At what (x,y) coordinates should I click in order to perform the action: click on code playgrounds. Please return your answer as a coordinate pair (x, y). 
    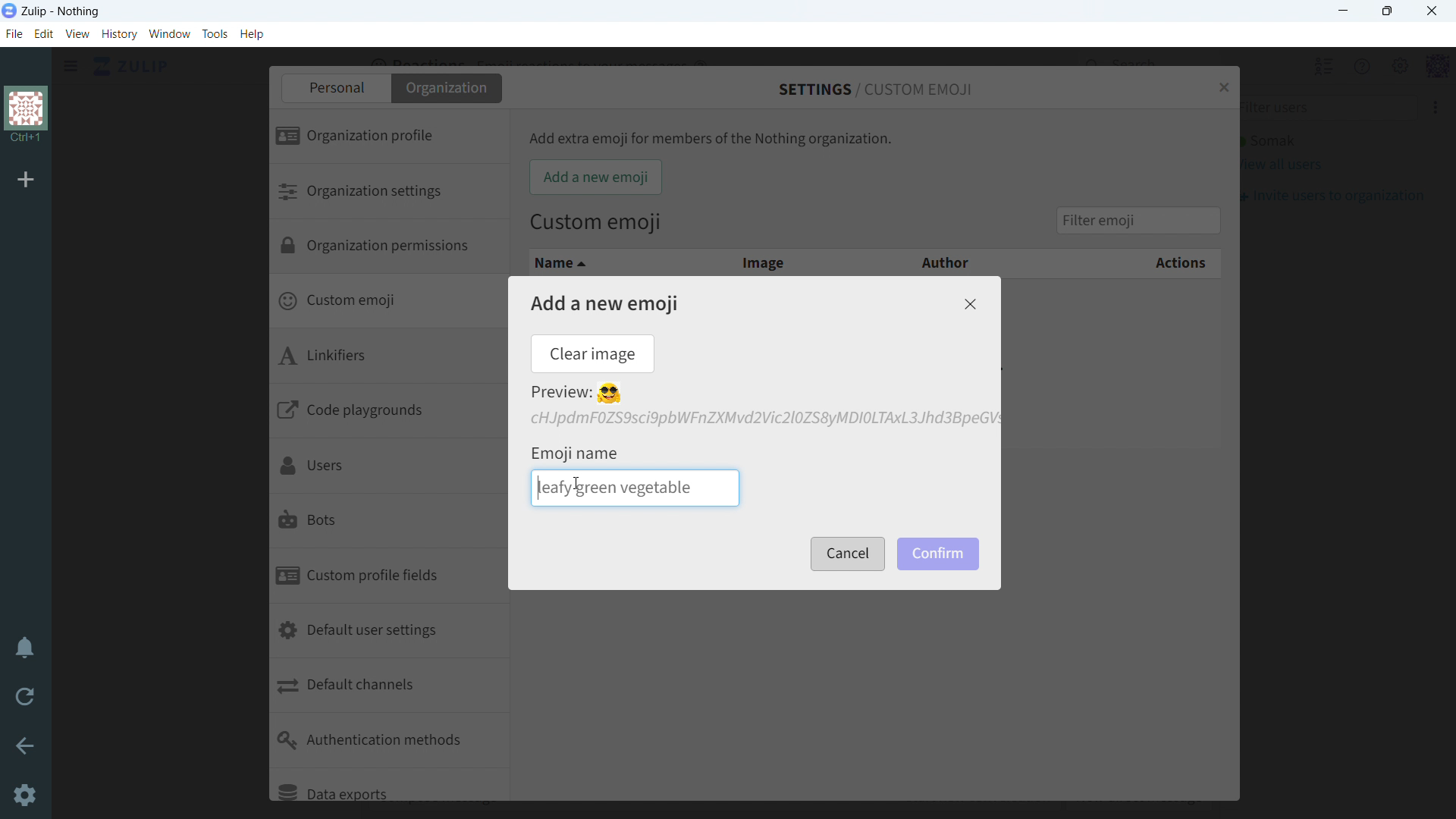
    Looking at the image, I should click on (389, 413).